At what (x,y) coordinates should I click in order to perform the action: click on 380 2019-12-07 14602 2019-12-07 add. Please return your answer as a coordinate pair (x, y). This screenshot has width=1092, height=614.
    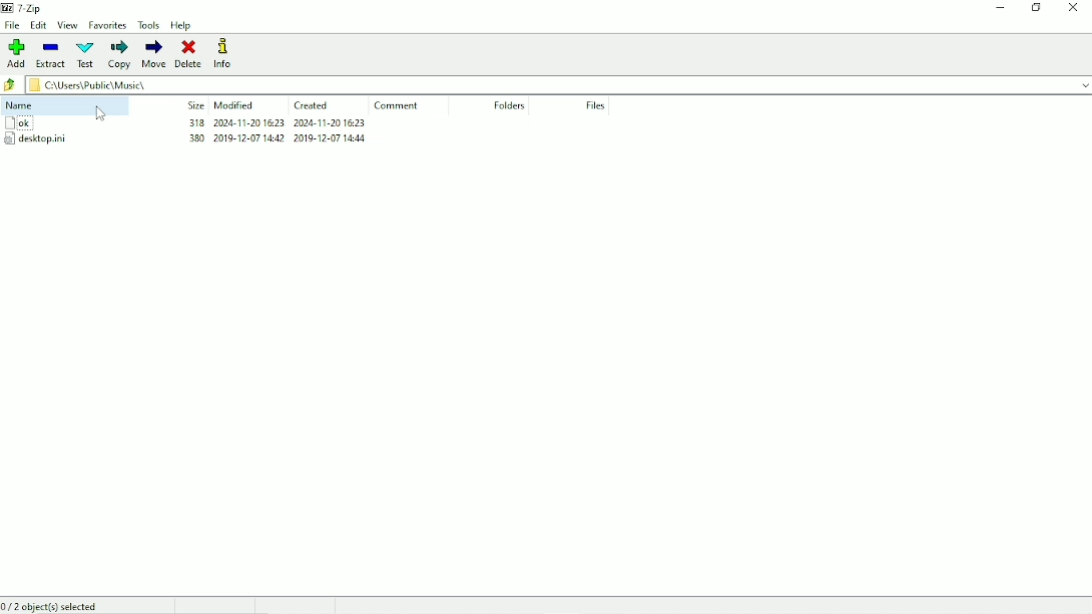
    Looking at the image, I should click on (280, 139).